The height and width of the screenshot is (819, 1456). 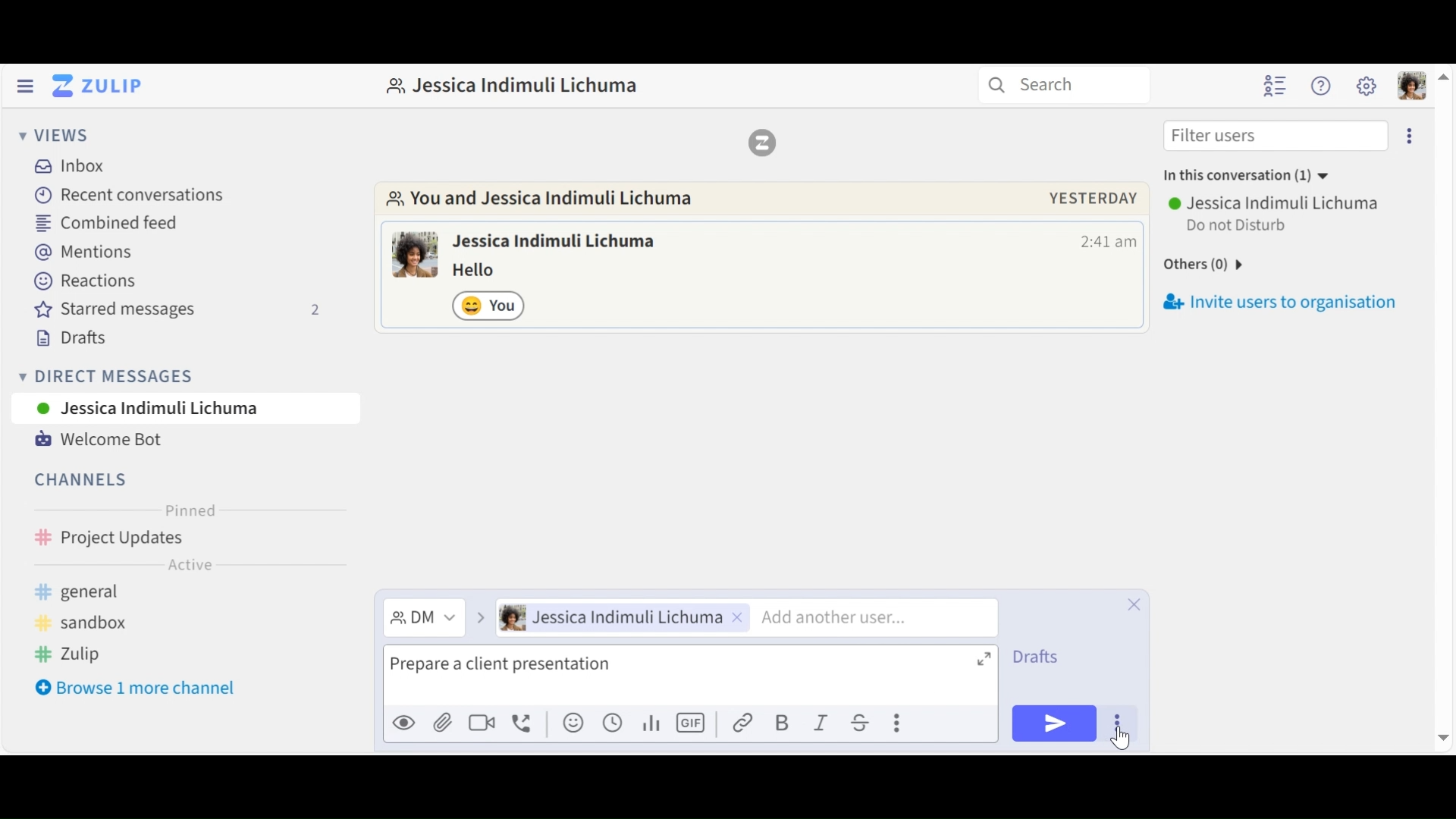 What do you see at coordinates (1285, 299) in the screenshot?
I see `Invite users to organisation` at bounding box center [1285, 299].